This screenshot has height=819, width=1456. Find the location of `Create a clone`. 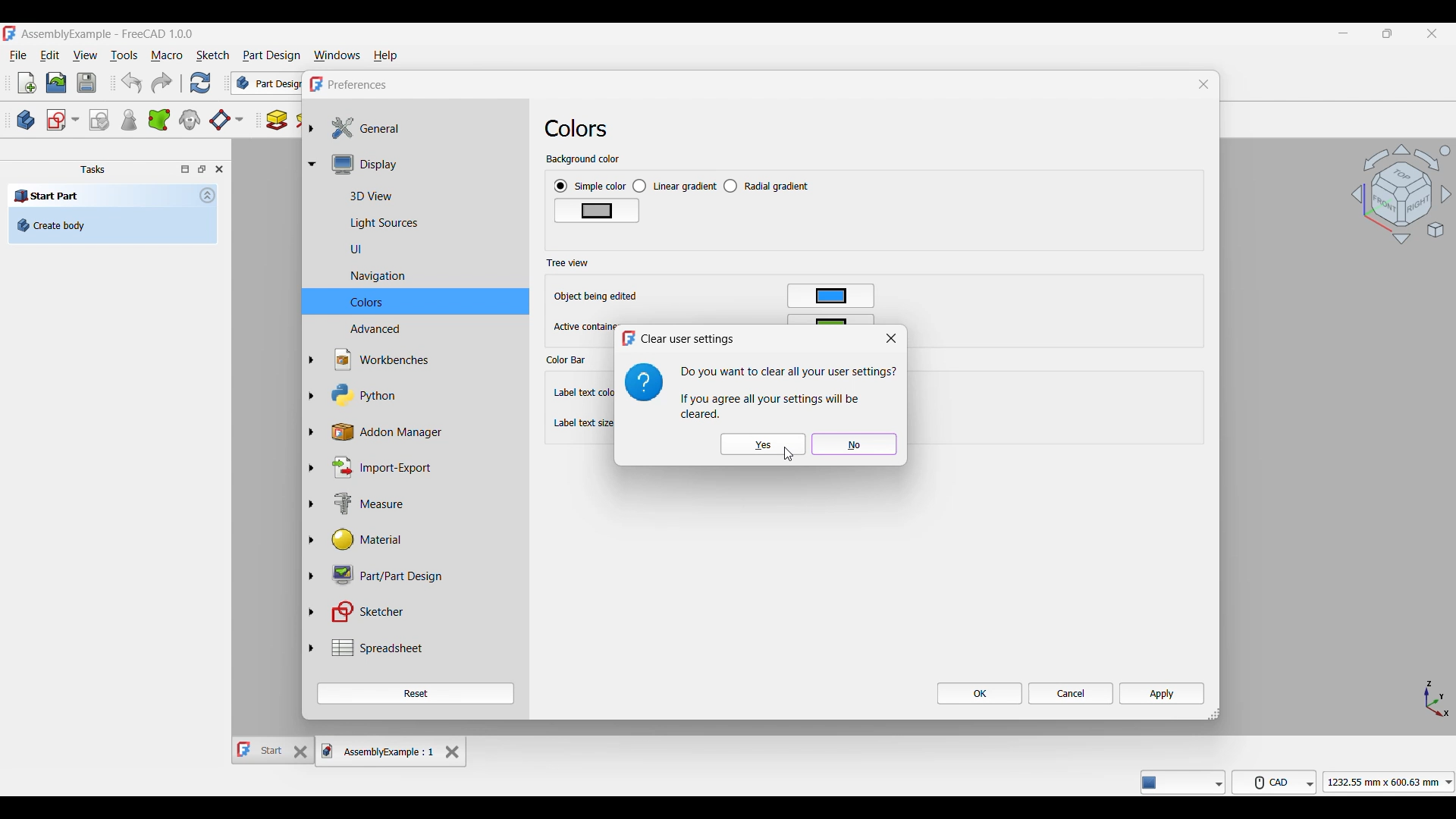

Create a clone is located at coordinates (189, 120).